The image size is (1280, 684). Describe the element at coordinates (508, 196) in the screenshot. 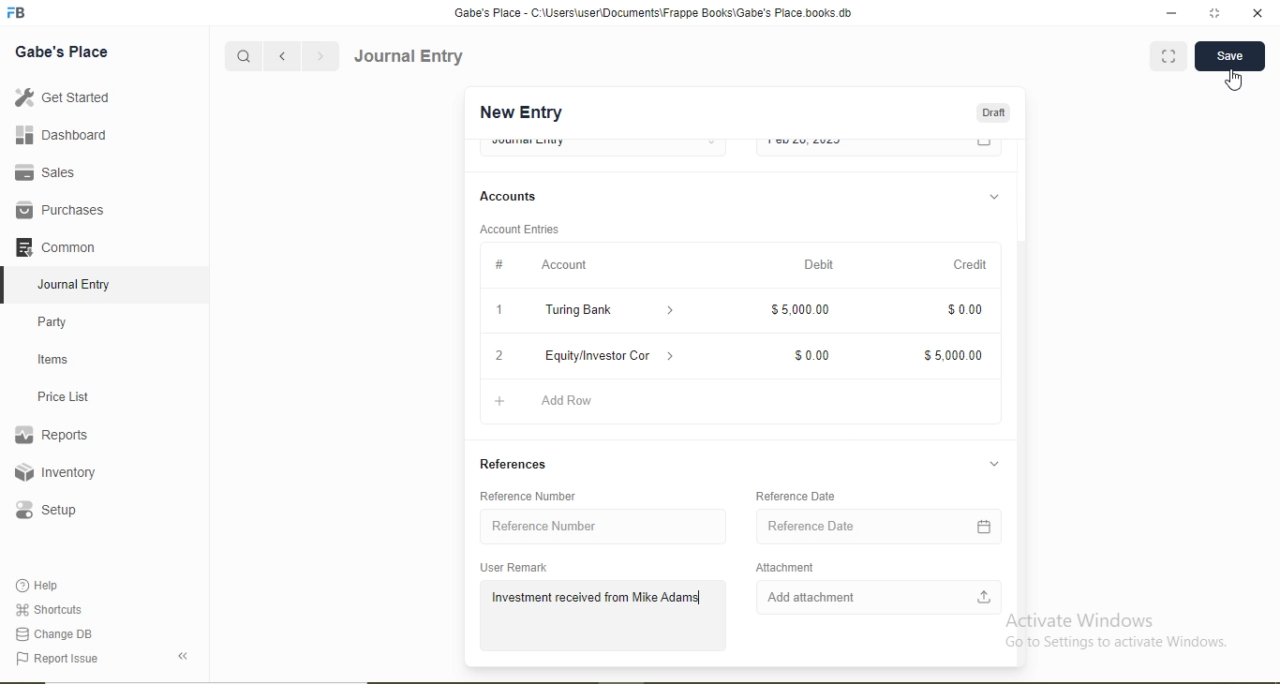

I see `Accounts` at that location.